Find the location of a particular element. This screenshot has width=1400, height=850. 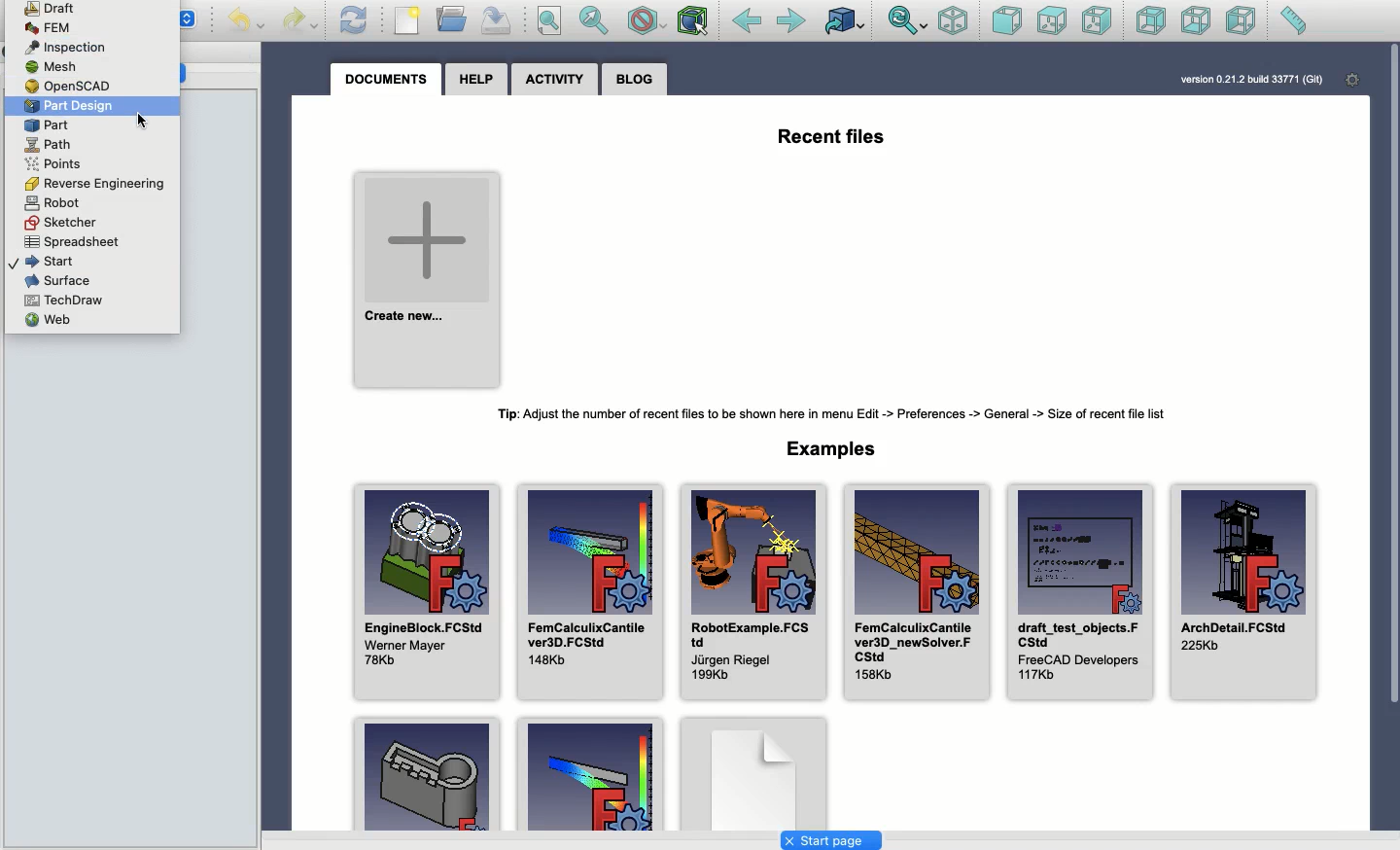

Activity  is located at coordinates (559, 79).